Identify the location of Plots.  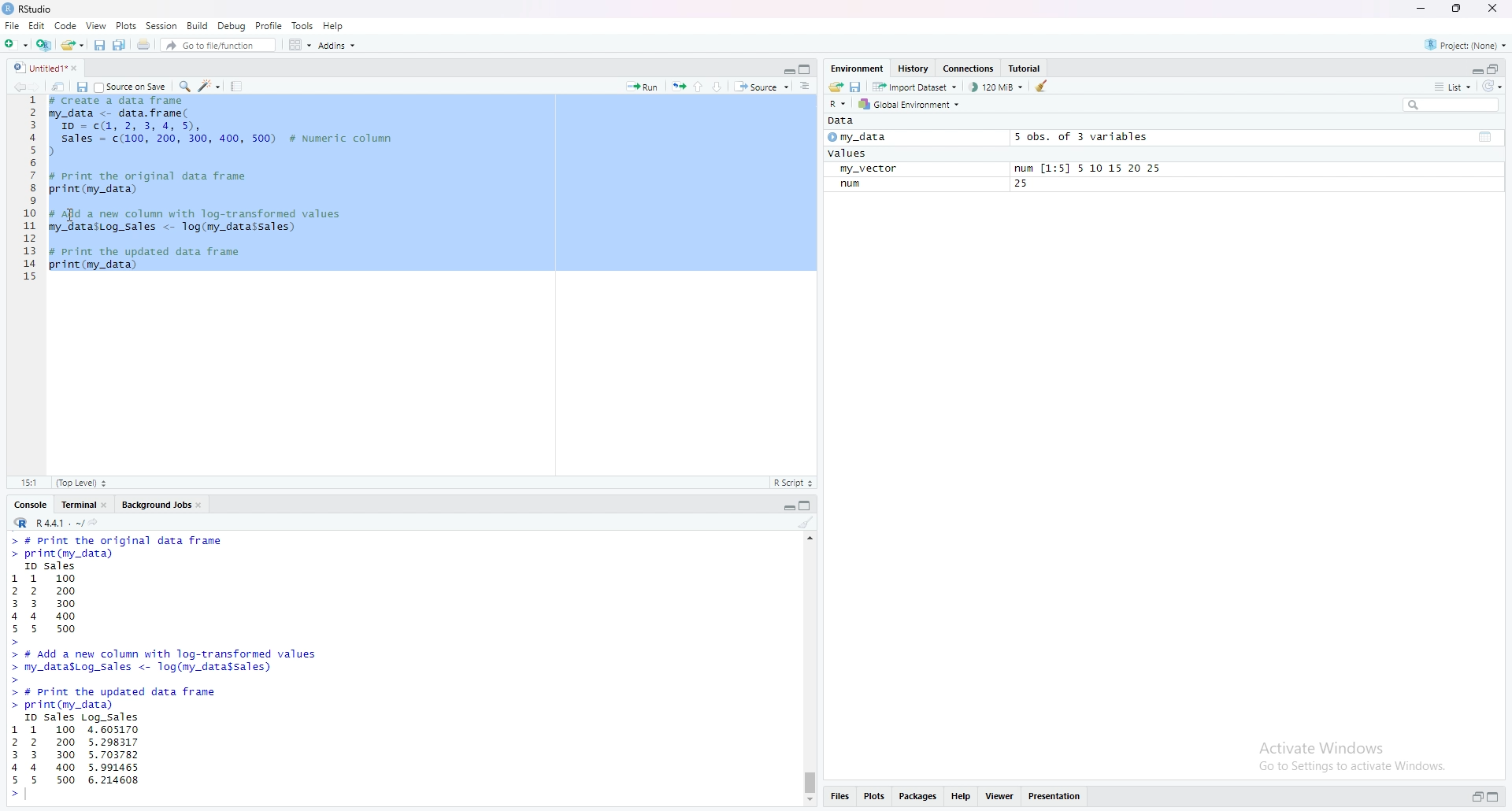
(121, 26).